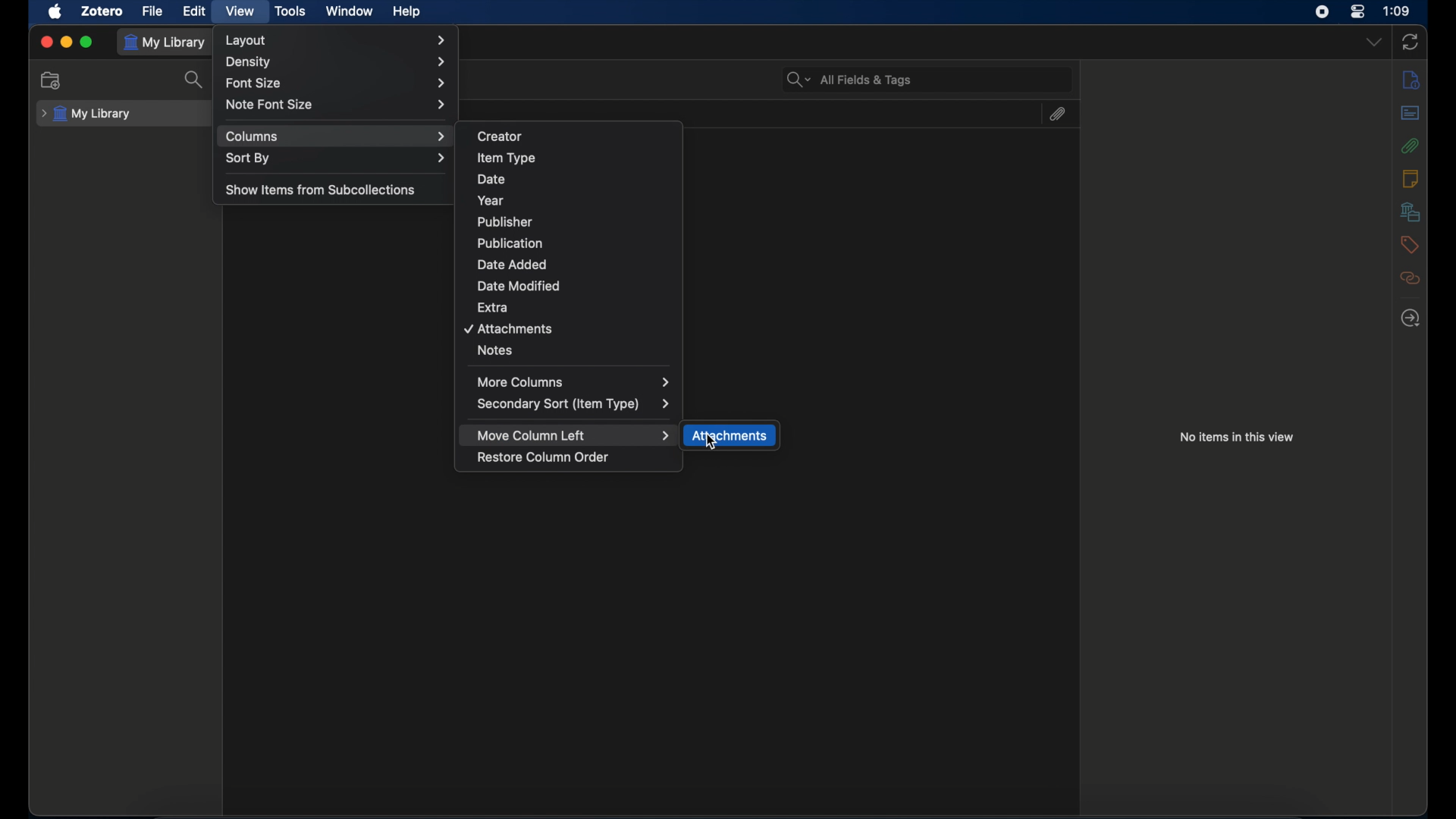 The height and width of the screenshot is (819, 1456). Describe the element at coordinates (86, 113) in the screenshot. I see `my library` at that location.